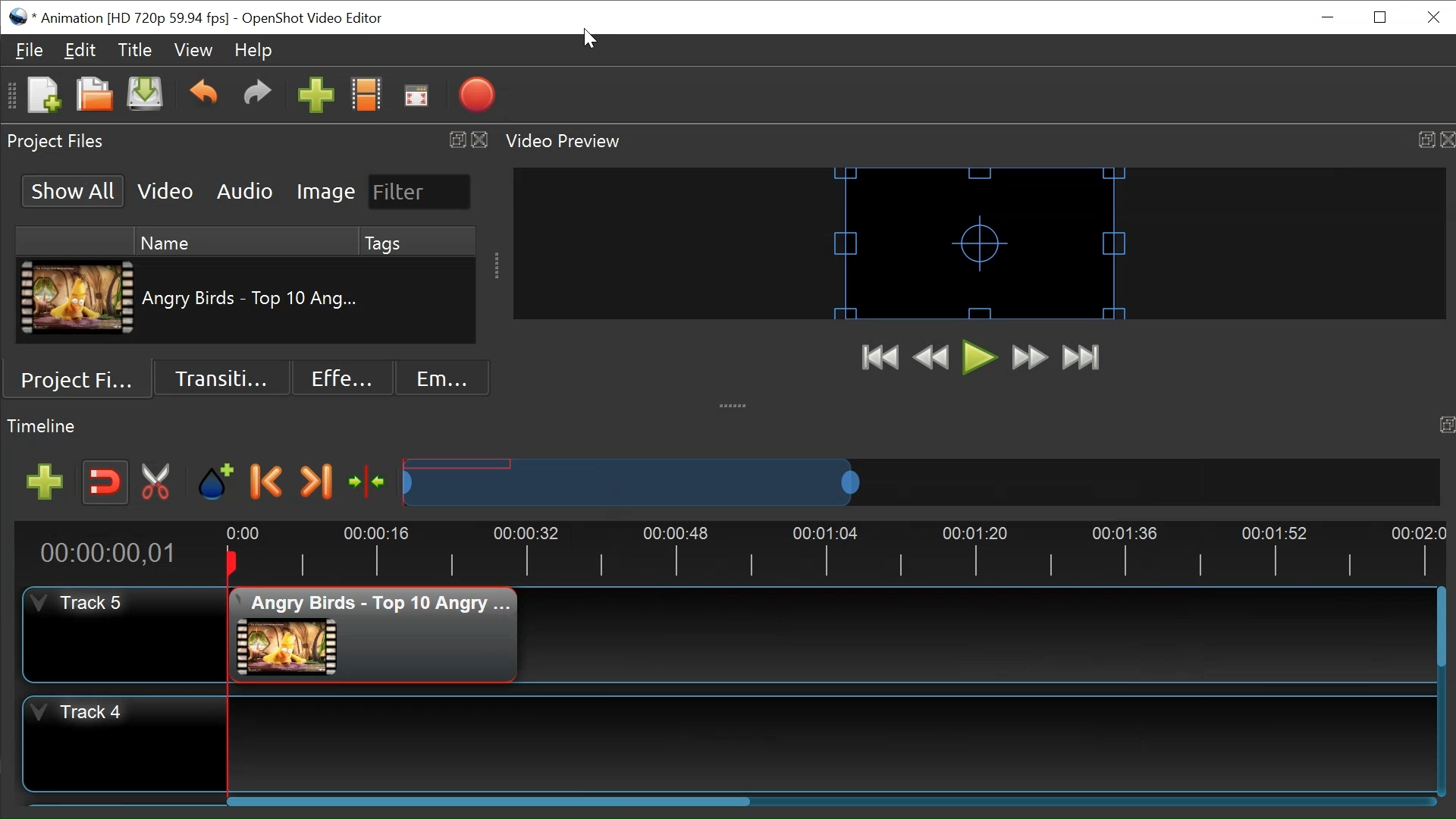 The image size is (1456, 819). I want to click on Tags, so click(417, 242).